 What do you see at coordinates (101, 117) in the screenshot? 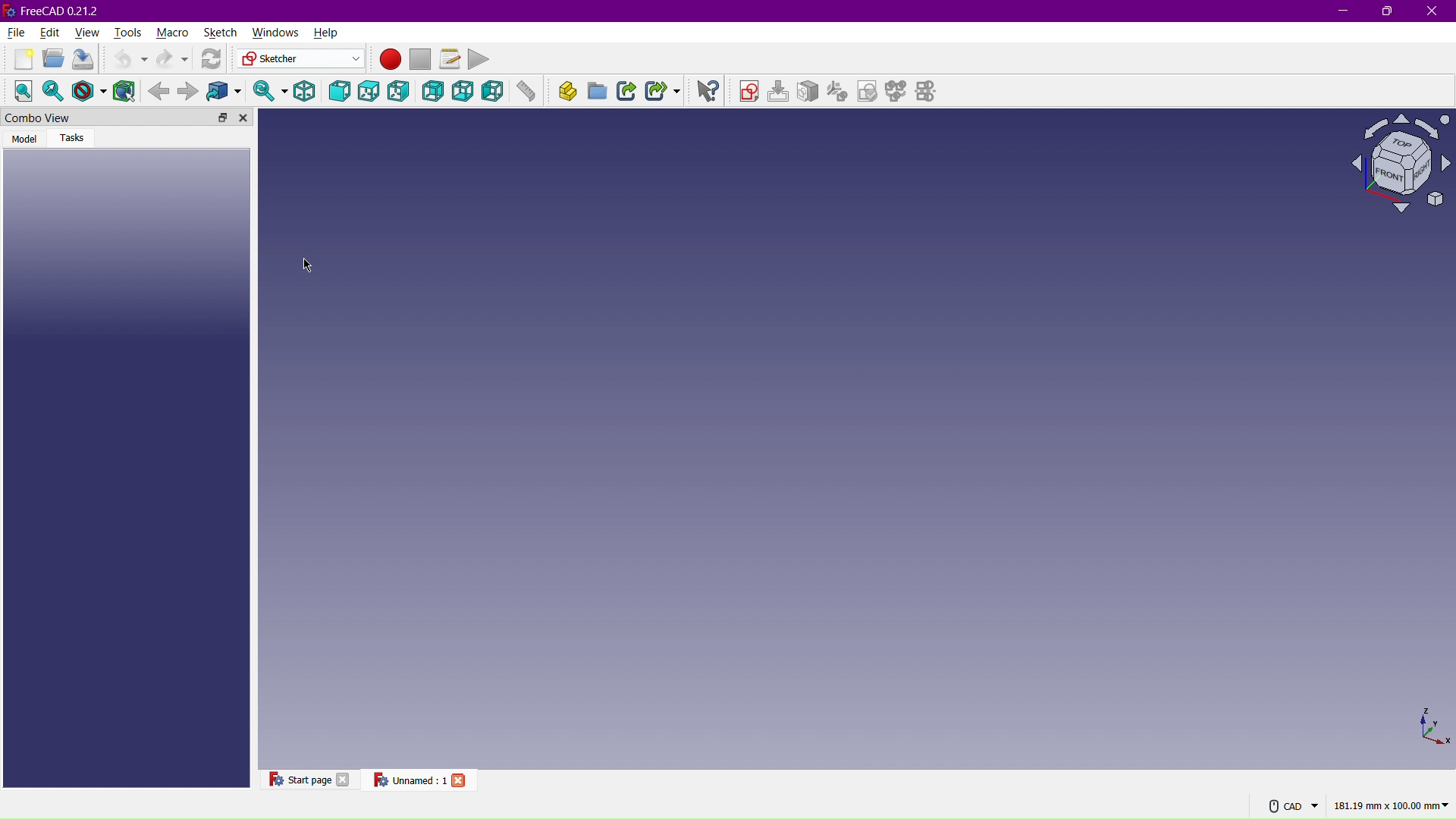
I see `Combo View` at bounding box center [101, 117].